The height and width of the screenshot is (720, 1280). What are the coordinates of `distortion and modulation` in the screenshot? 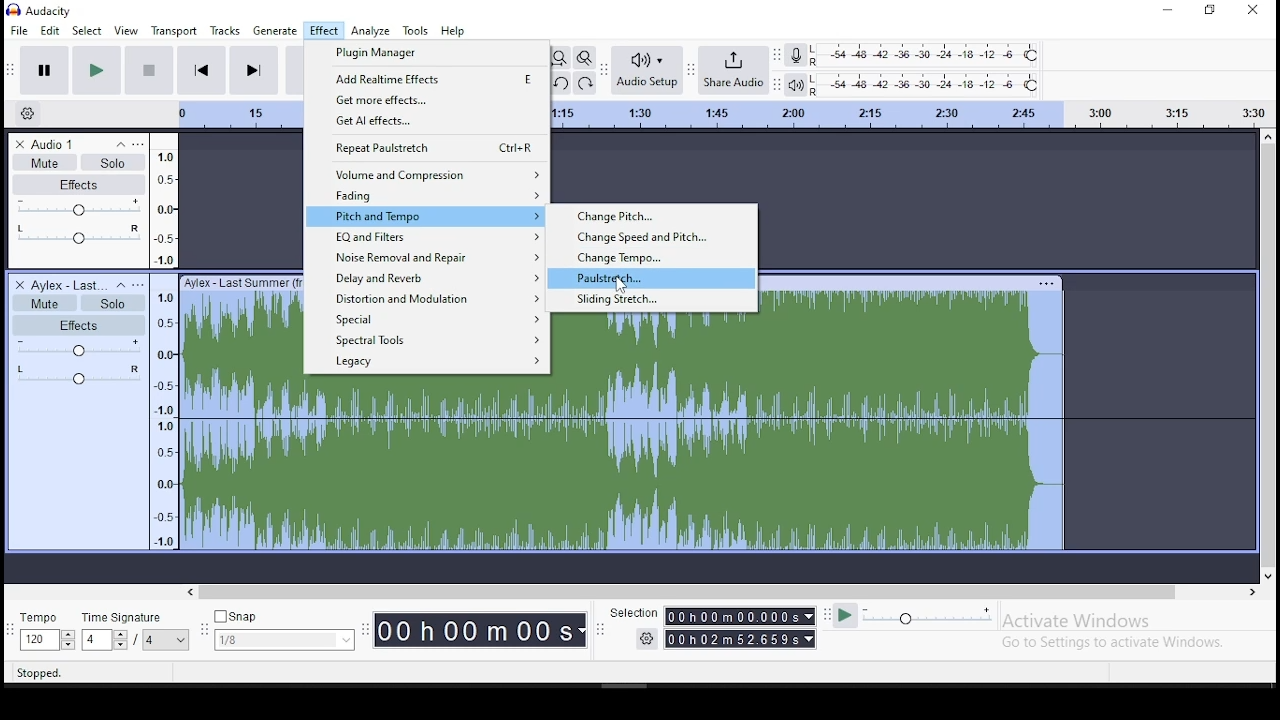 It's located at (427, 300).